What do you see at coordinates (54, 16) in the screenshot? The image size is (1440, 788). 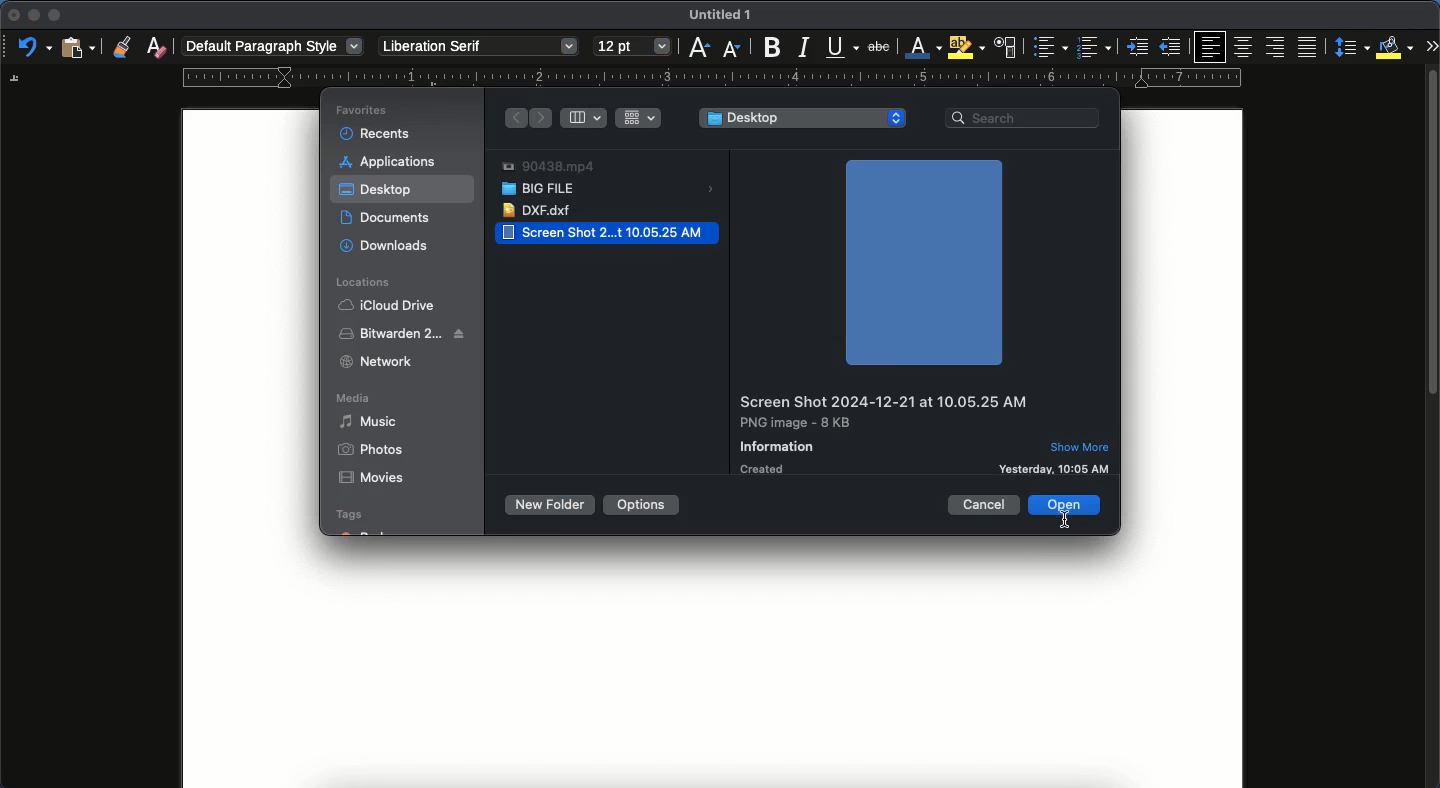 I see `maximize` at bounding box center [54, 16].